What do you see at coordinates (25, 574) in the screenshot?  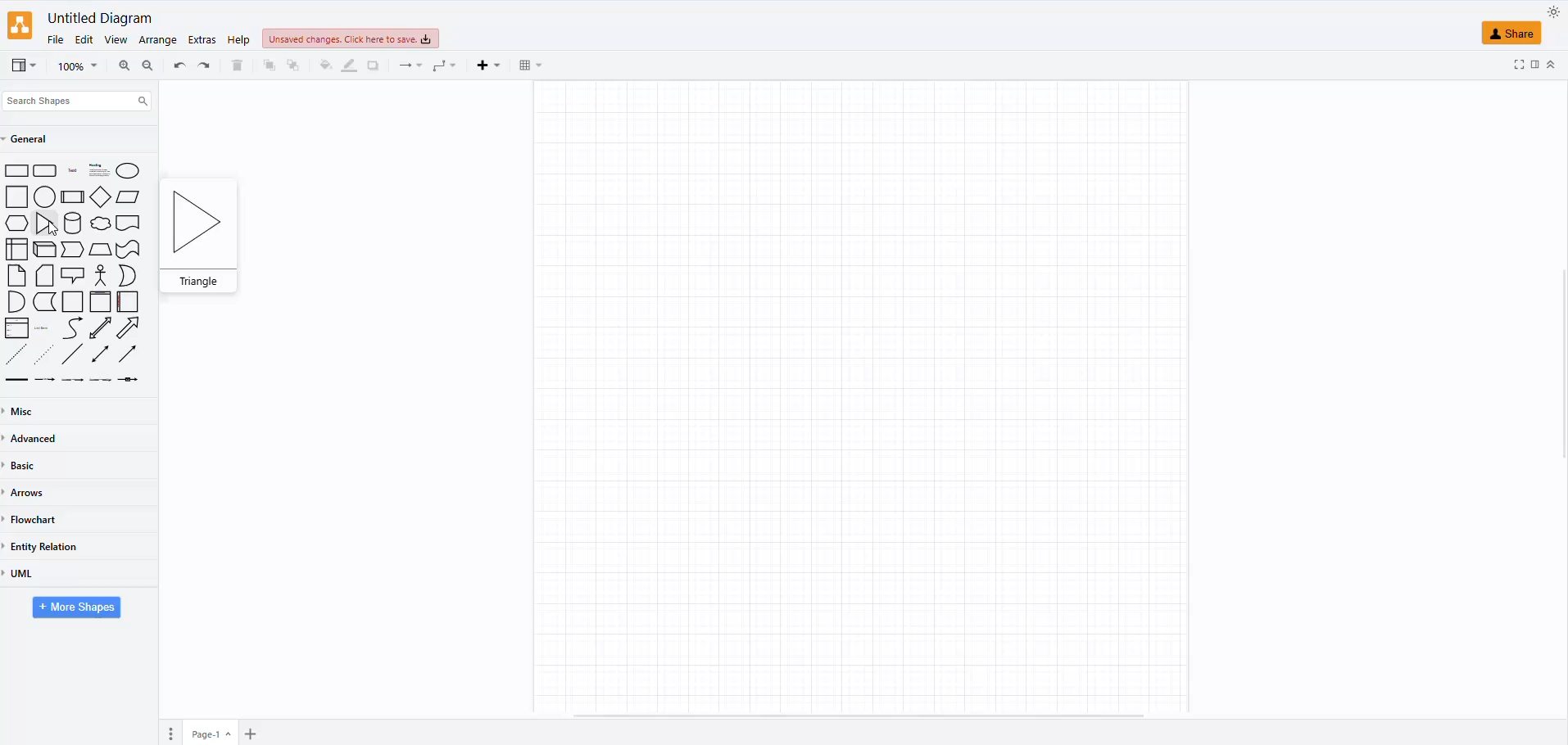 I see `uml` at bounding box center [25, 574].